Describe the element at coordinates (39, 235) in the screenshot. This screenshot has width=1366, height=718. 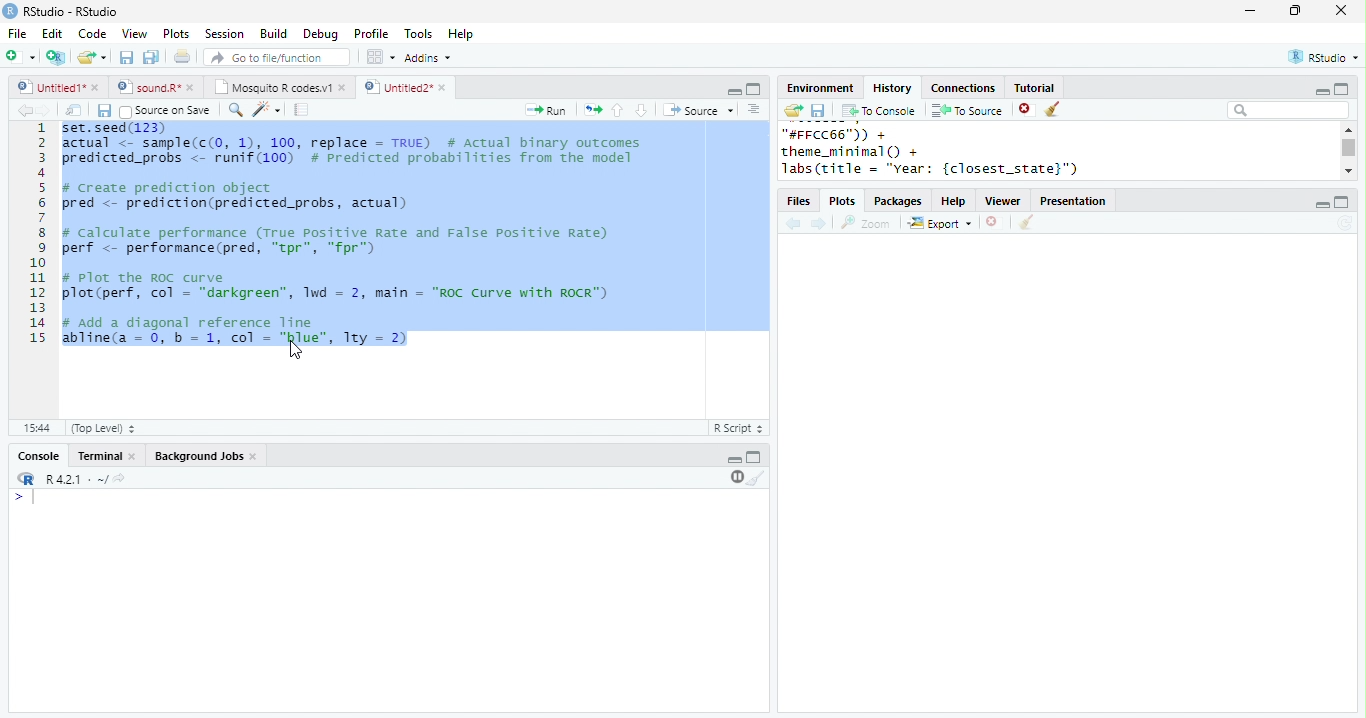
I see `line numbering` at that location.